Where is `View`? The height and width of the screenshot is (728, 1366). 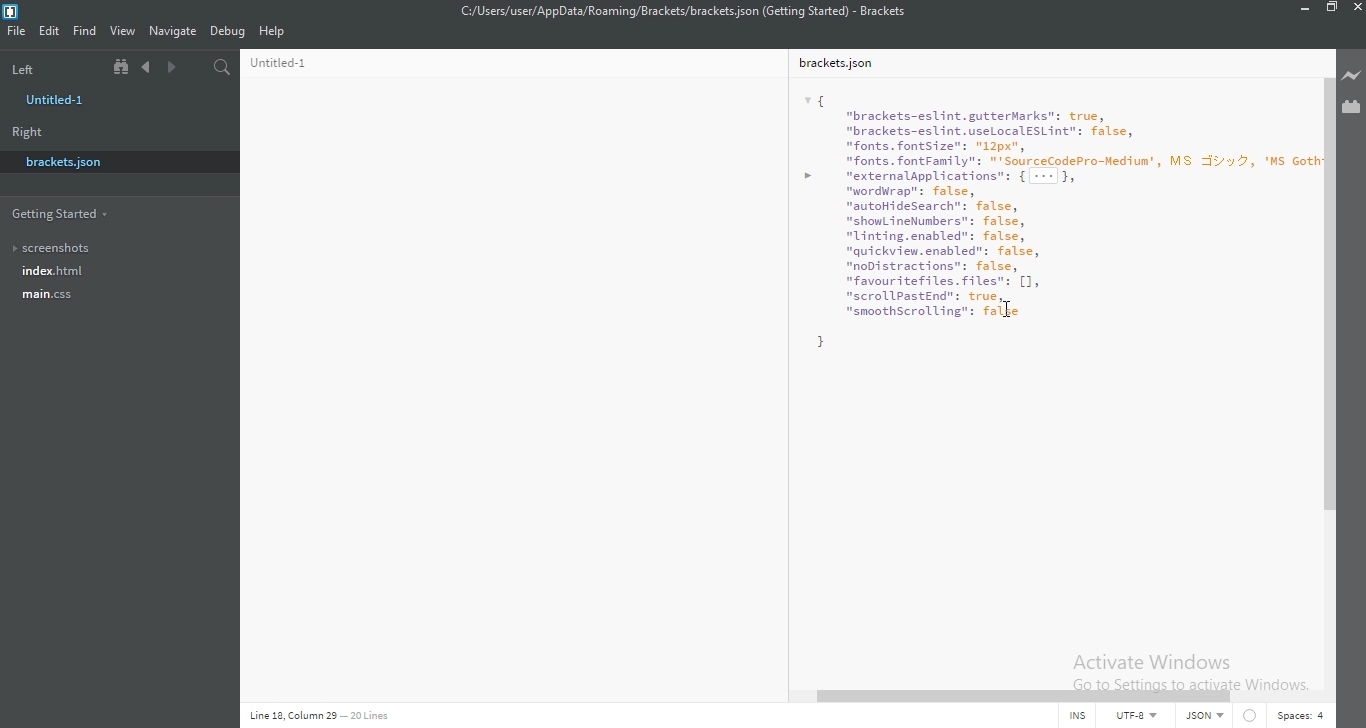 View is located at coordinates (125, 29).